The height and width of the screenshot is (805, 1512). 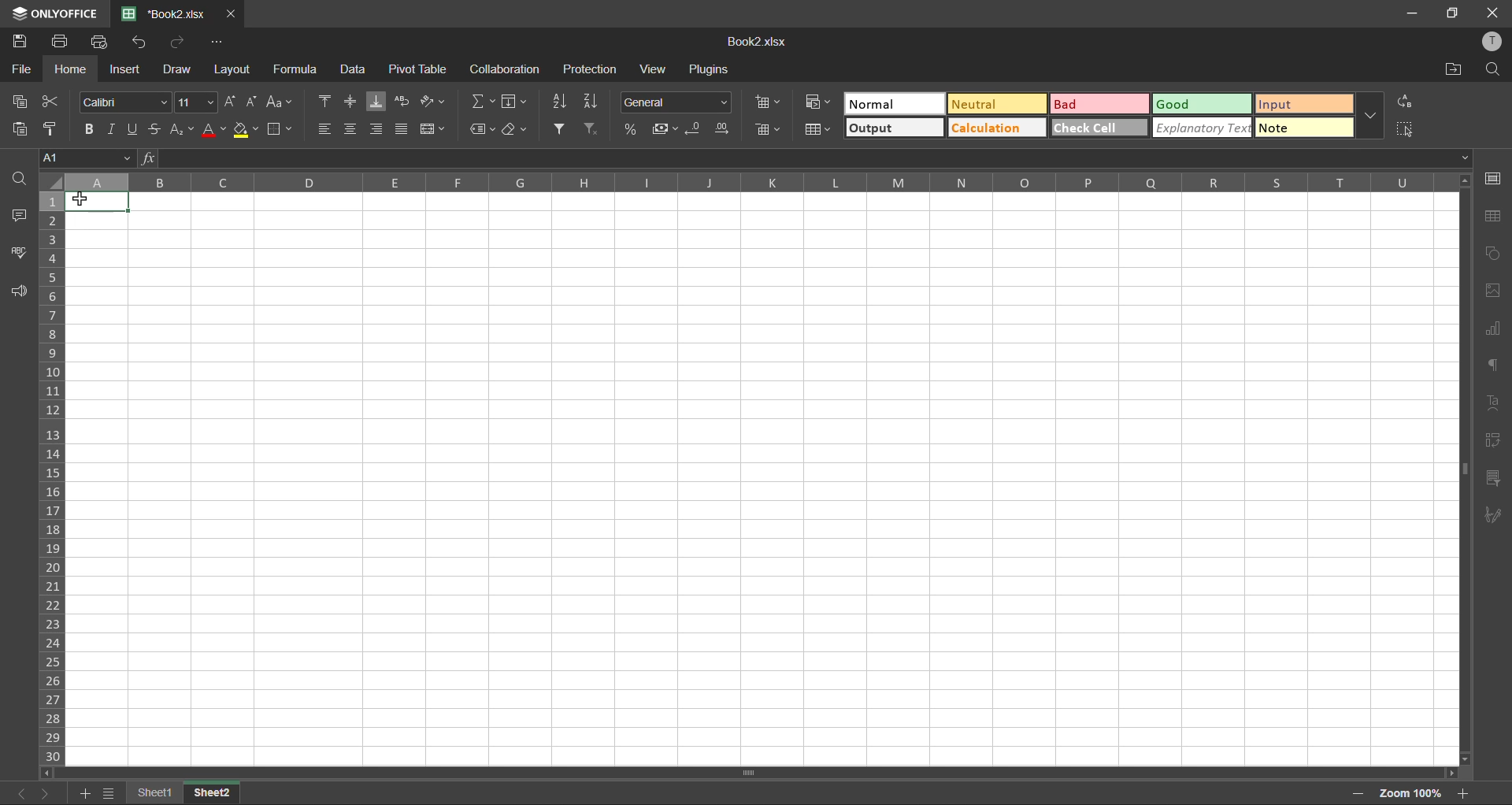 I want to click on align top, so click(x=328, y=101).